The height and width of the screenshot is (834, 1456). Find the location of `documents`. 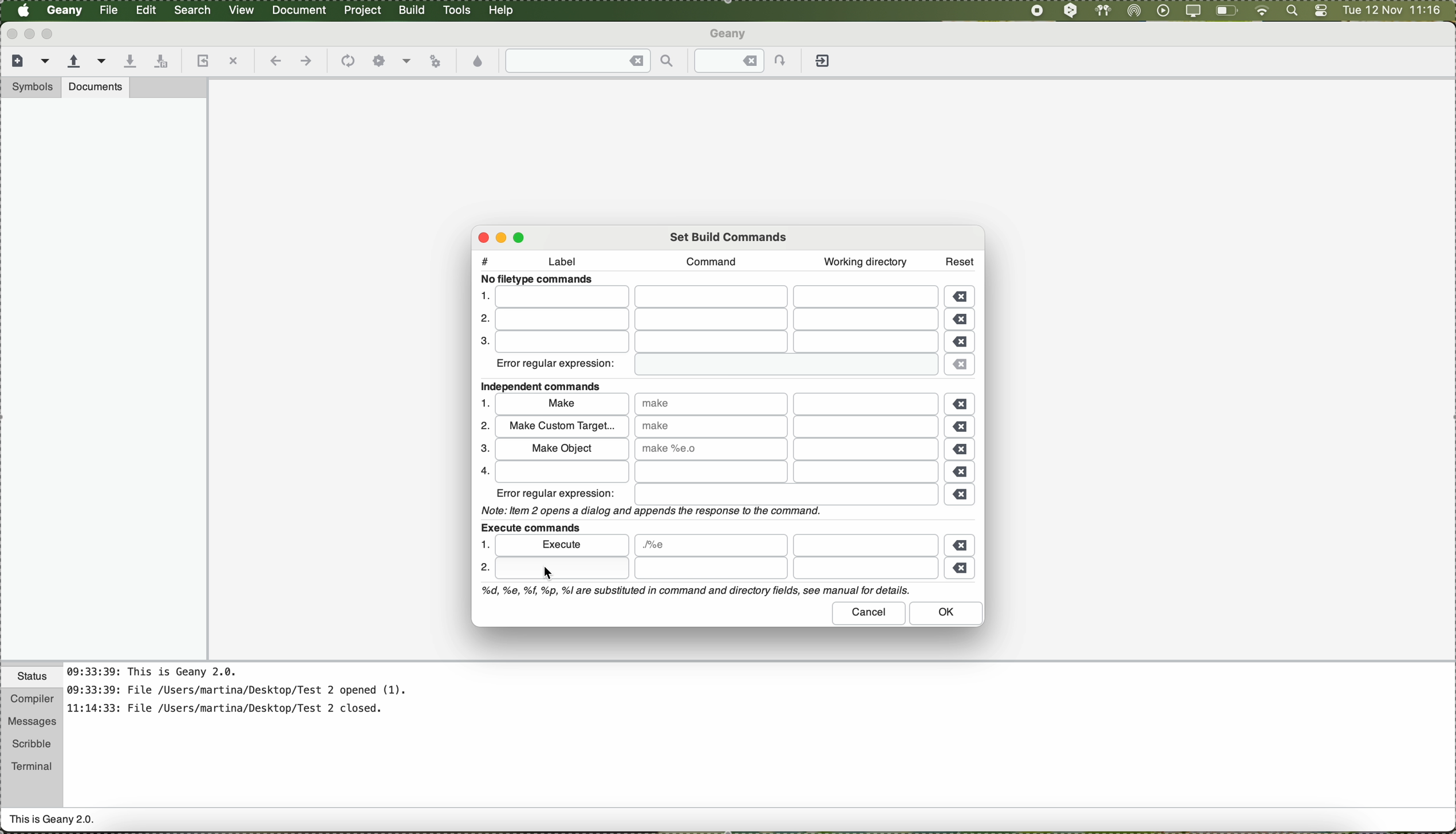

documents is located at coordinates (96, 86).